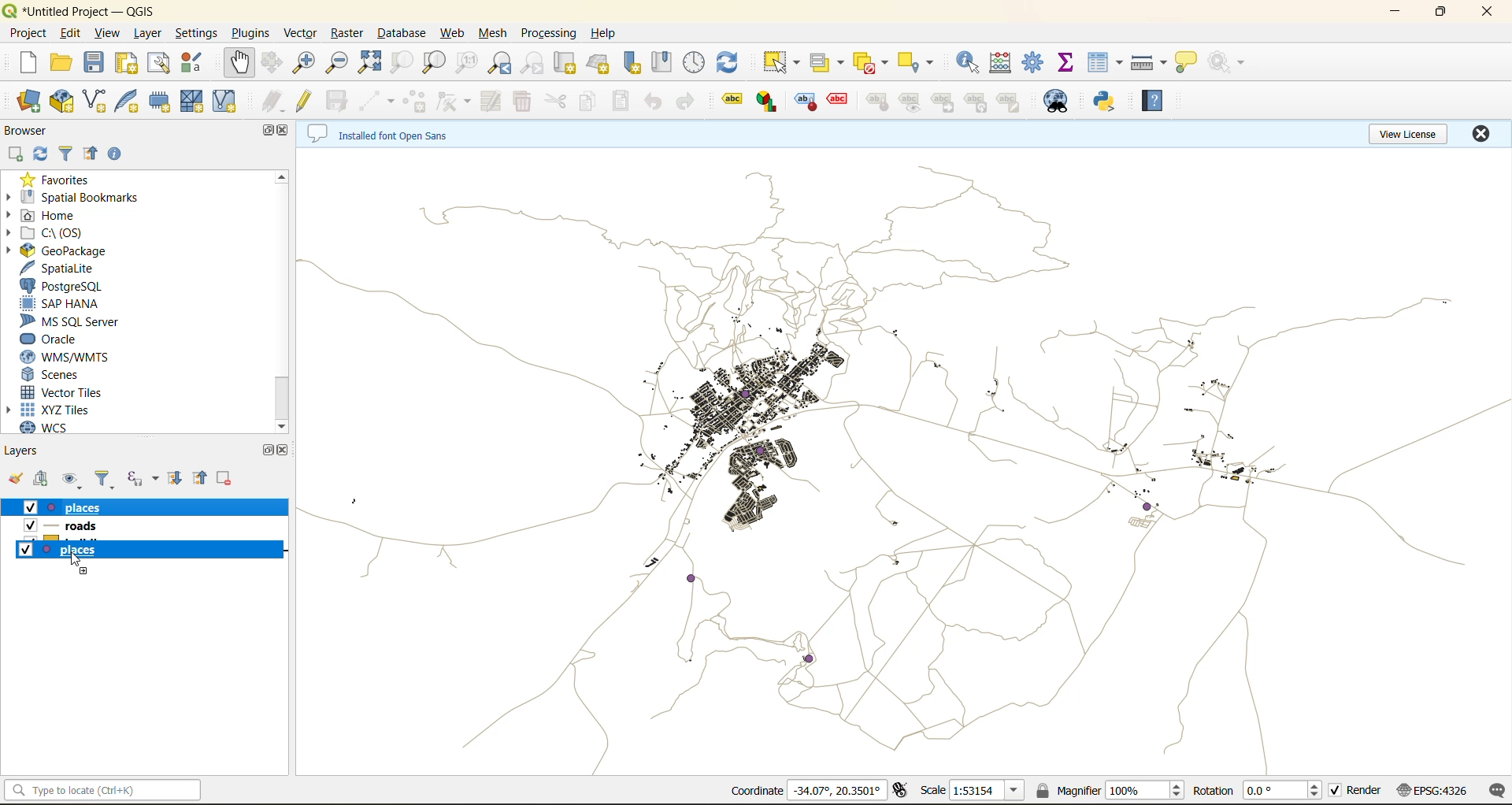 The height and width of the screenshot is (805, 1512). Describe the element at coordinates (654, 100) in the screenshot. I see `undo` at that location.